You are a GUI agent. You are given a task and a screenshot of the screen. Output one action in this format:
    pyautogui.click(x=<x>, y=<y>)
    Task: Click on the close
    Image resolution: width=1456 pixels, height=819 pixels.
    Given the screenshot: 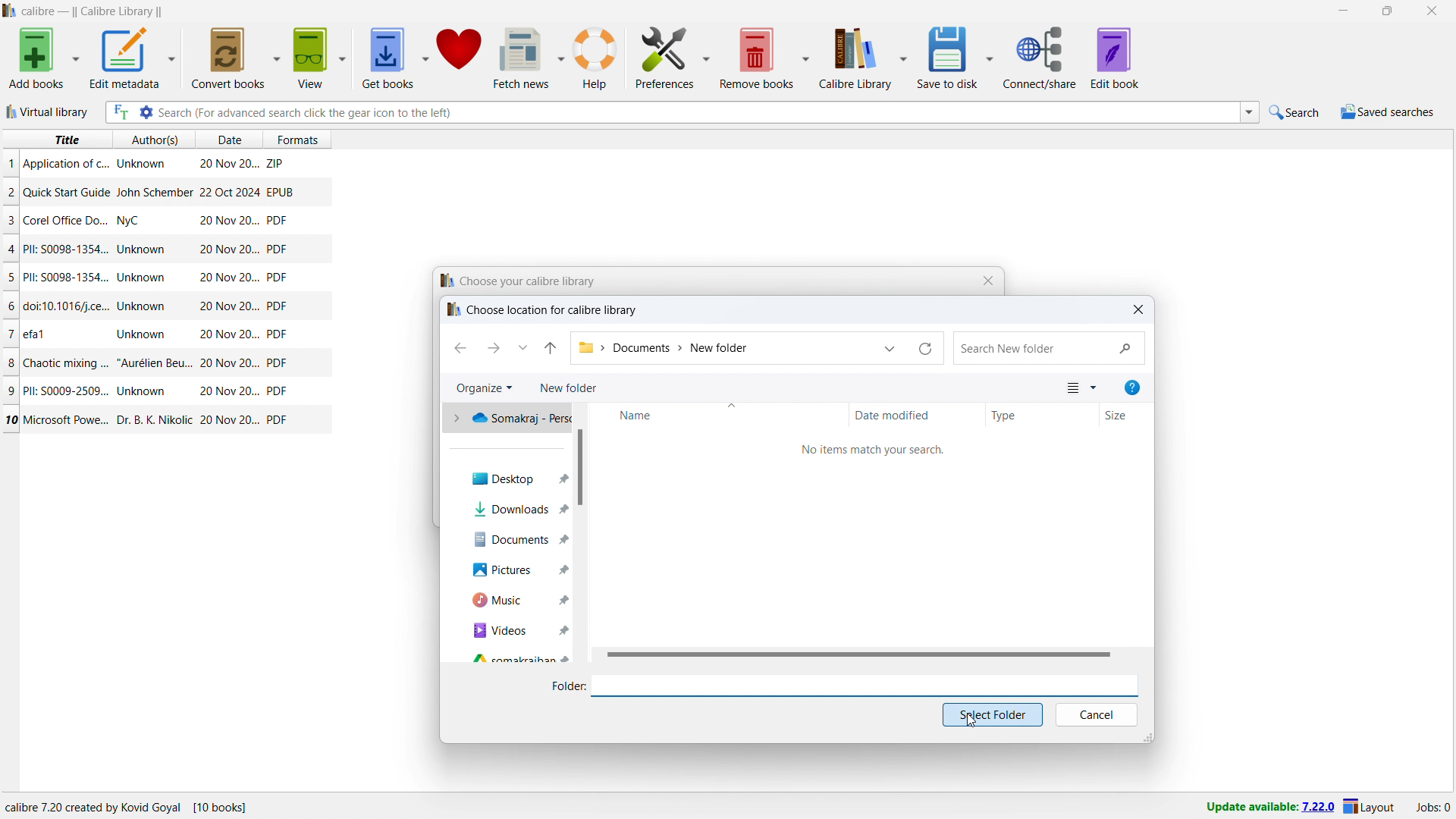 What is the action you would take?
    pyautogui.click(x=1139, y=309)
    